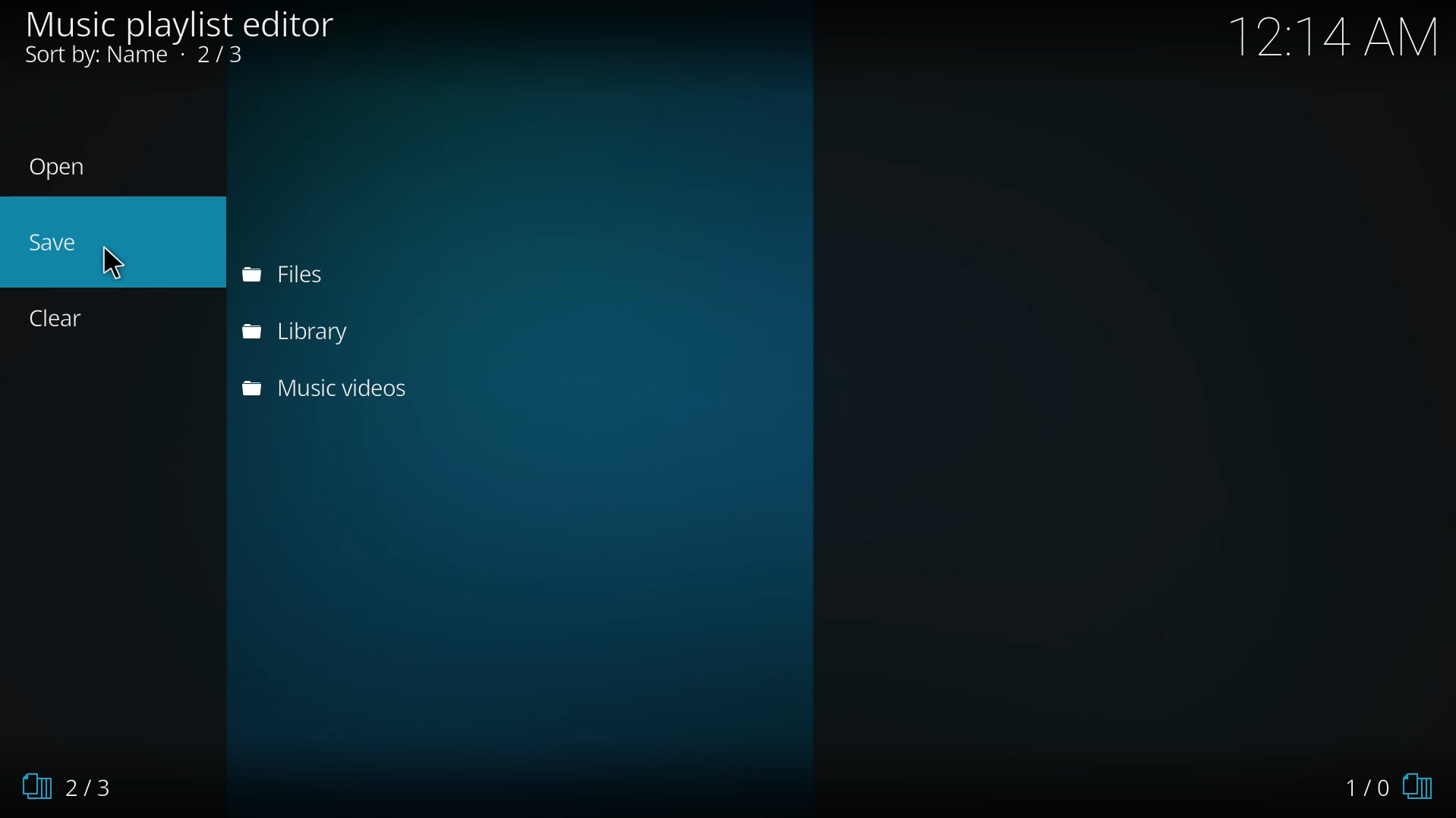 The image size is (1456, 818). Describe the element at coordinates (113, 263) in the screenshot. I see `cursor` at that location.